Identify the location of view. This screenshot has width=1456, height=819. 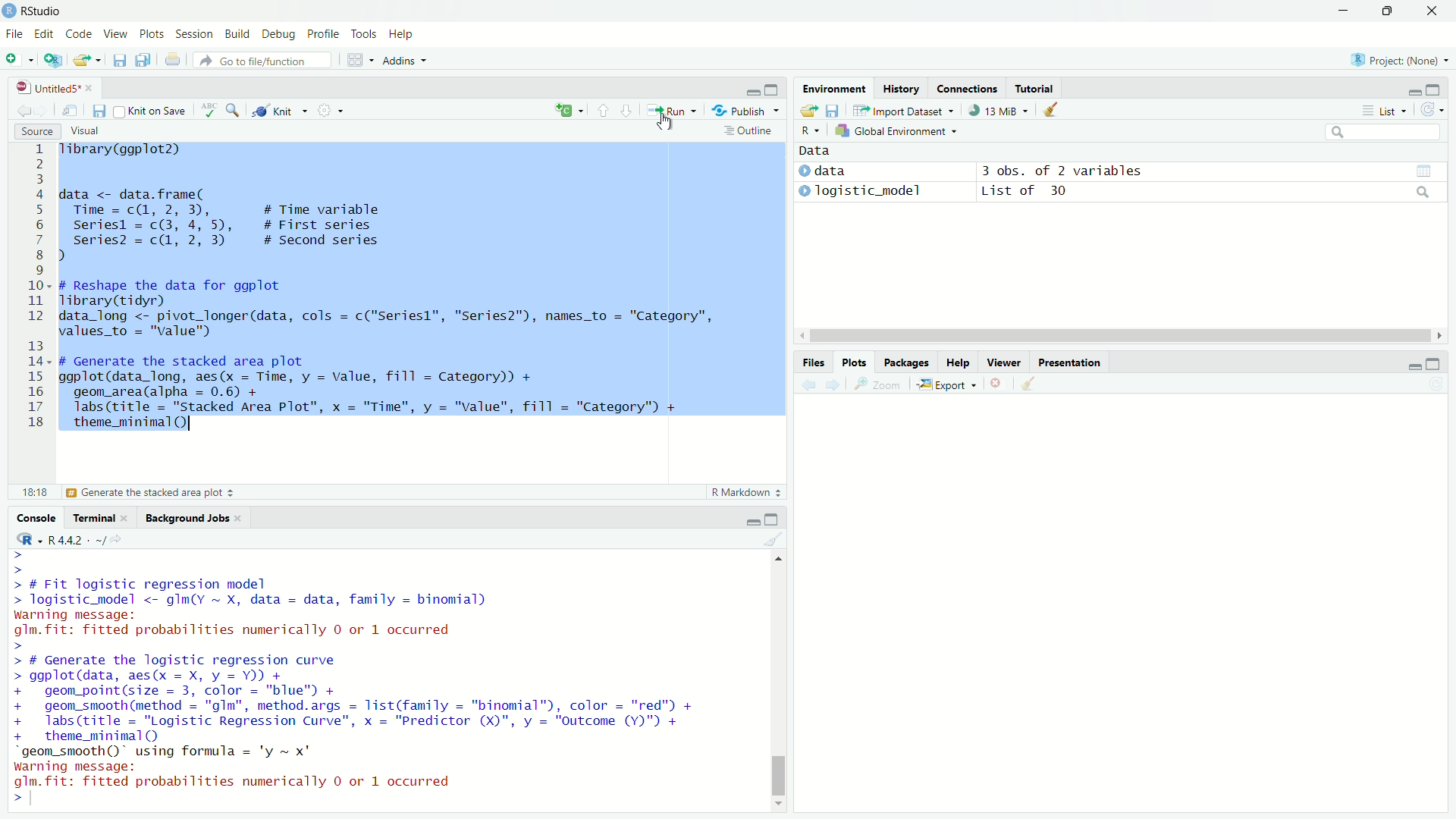
(1425, 170).